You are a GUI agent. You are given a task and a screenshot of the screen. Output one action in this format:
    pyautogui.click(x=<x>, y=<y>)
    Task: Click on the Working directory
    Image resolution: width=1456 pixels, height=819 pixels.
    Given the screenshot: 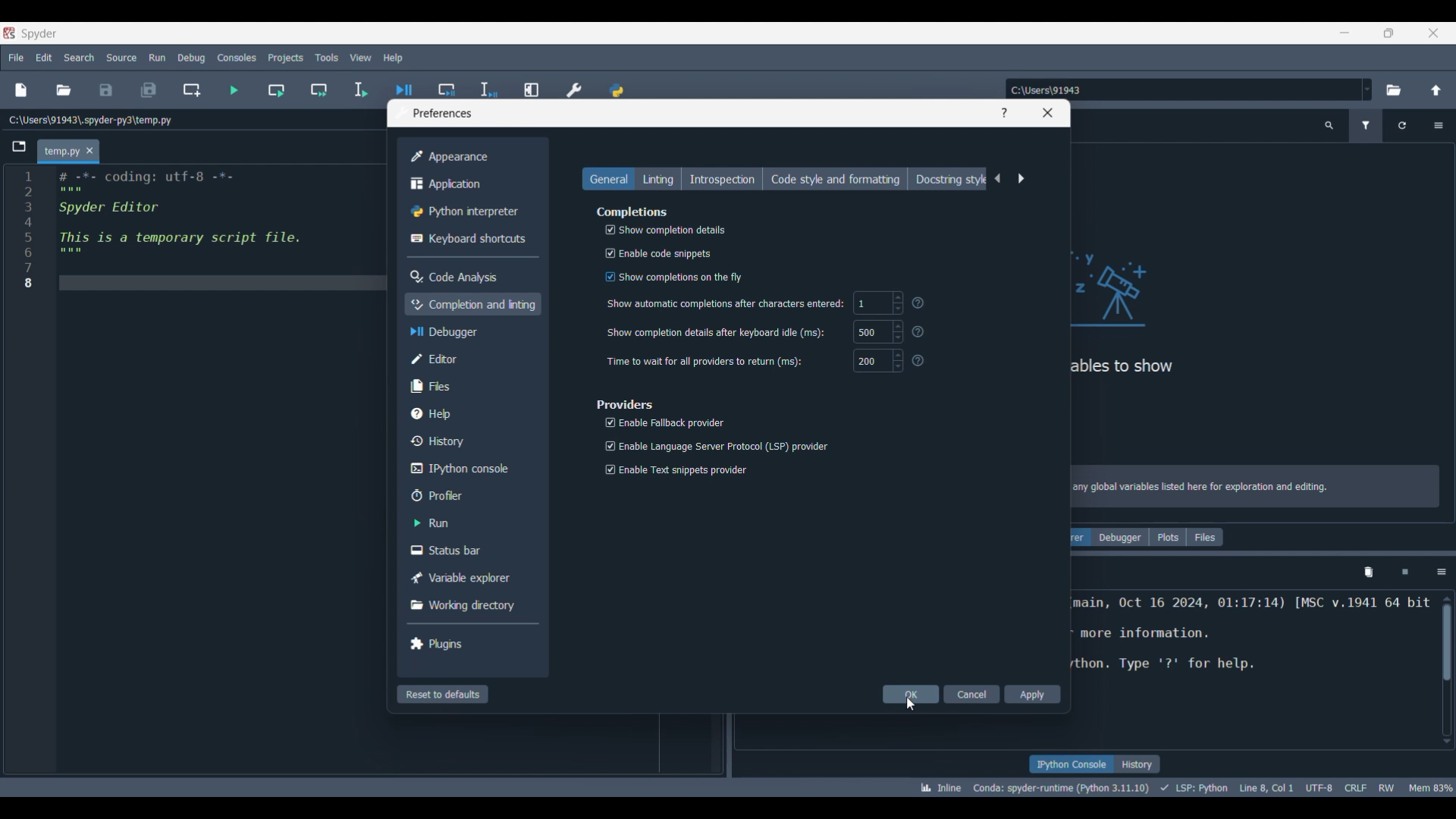 What is the action you would take?
    pyautogui.click(x=469, y=605)
    